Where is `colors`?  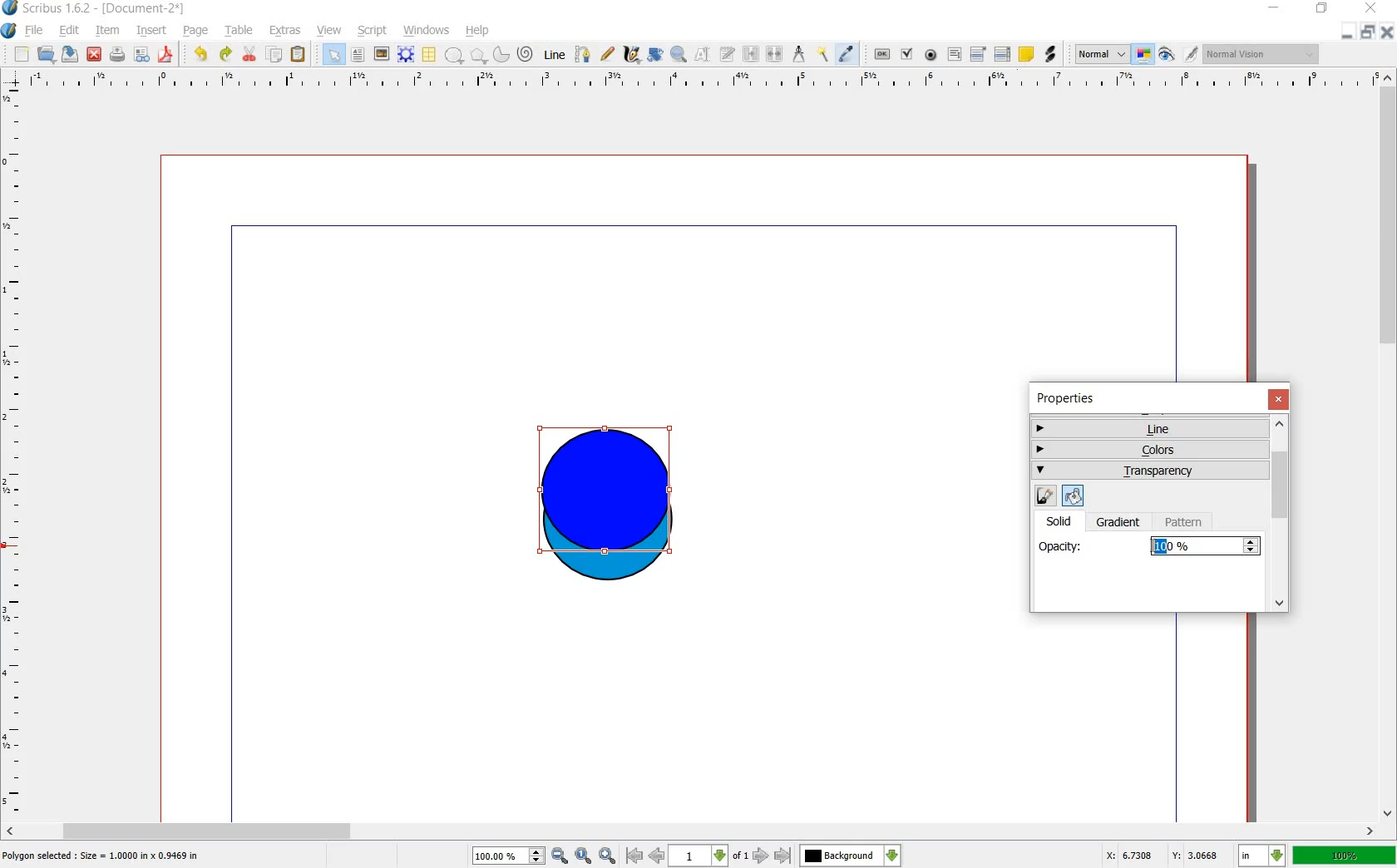 colors is located at coordinates (1151, 447).